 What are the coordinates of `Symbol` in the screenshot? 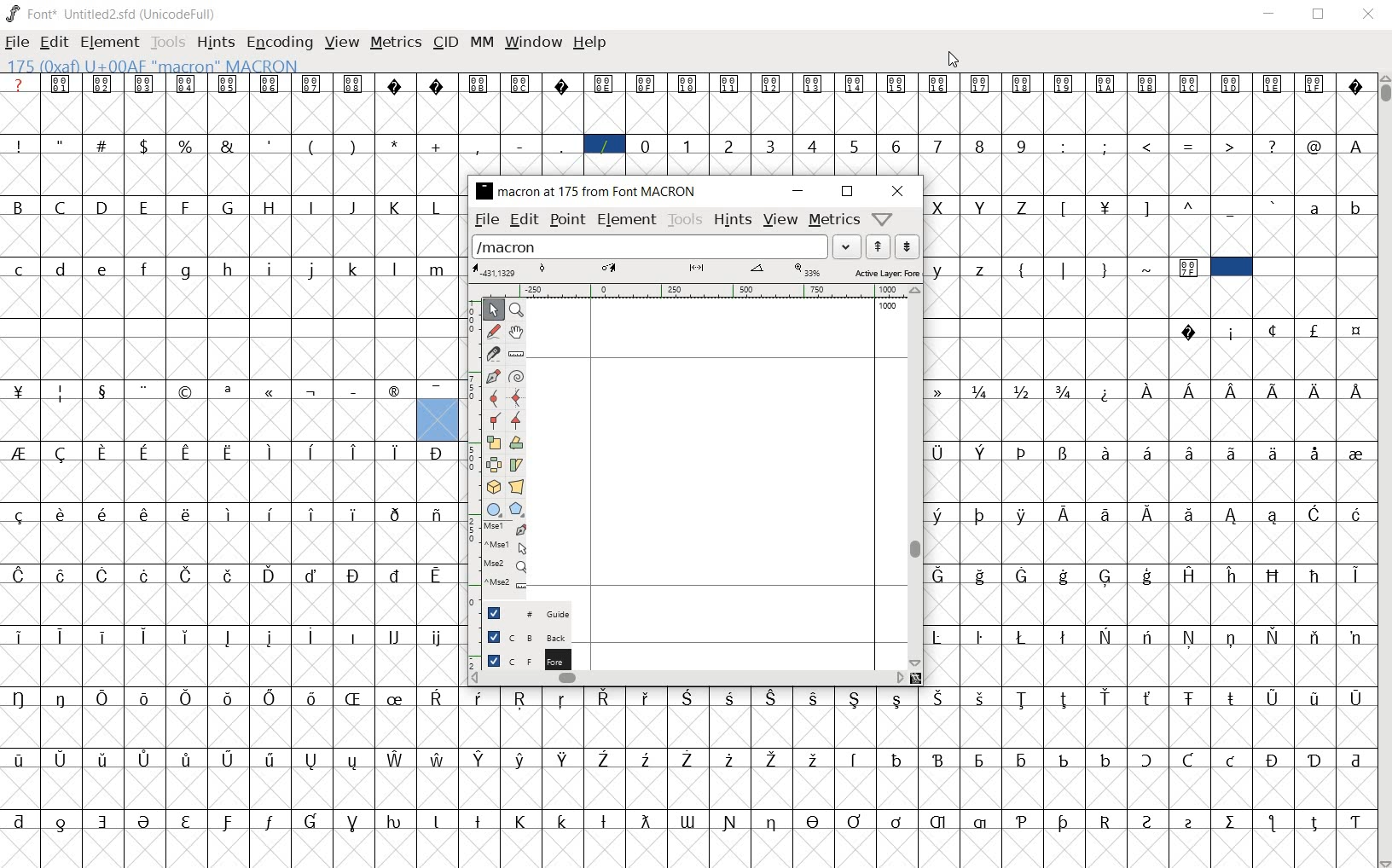 It's located at (1232, 389).